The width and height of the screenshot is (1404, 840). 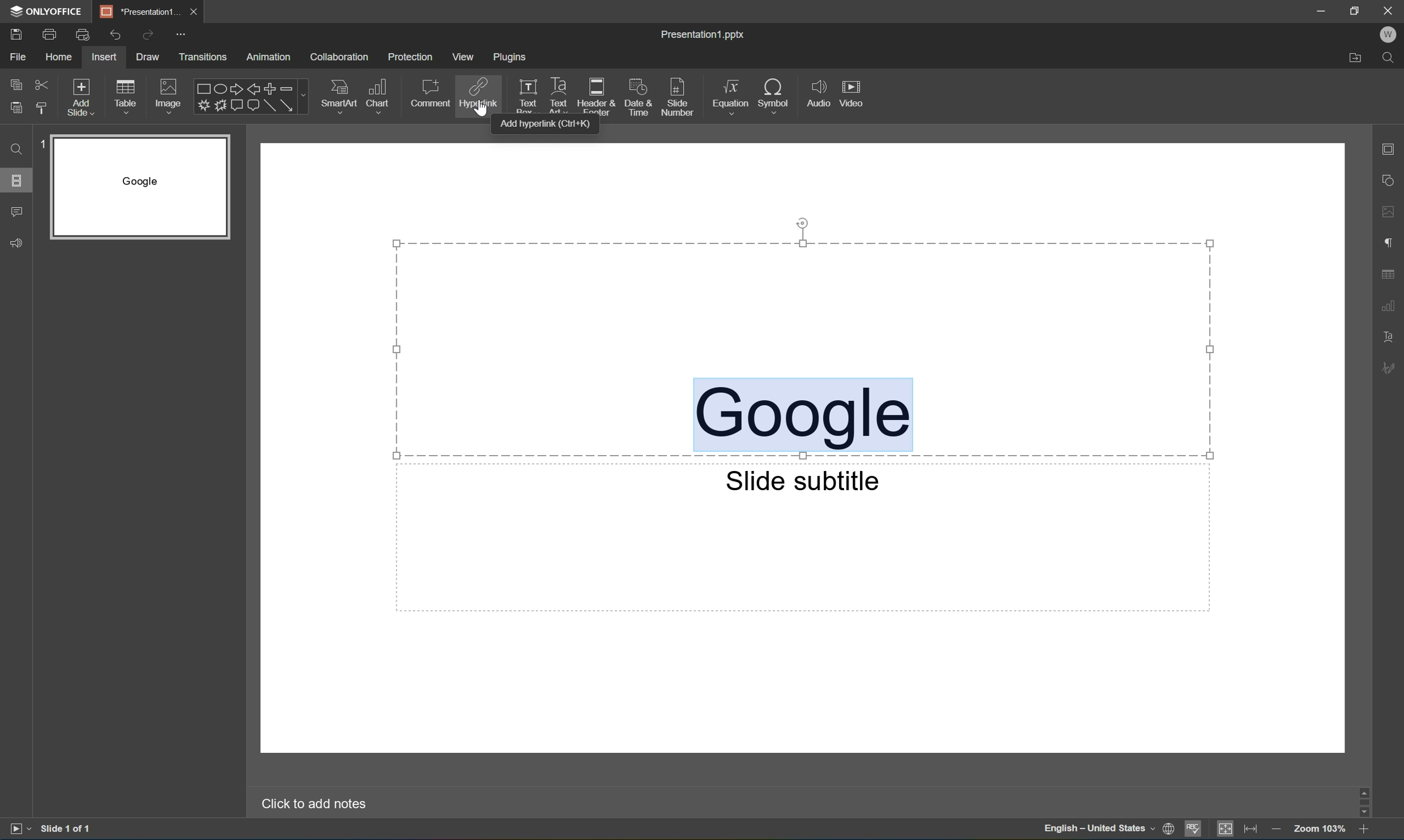 What do you see at coordinates (1364, 801) in the screenshot?
I see `Scroll bar` at bounding box center [1364, 801].